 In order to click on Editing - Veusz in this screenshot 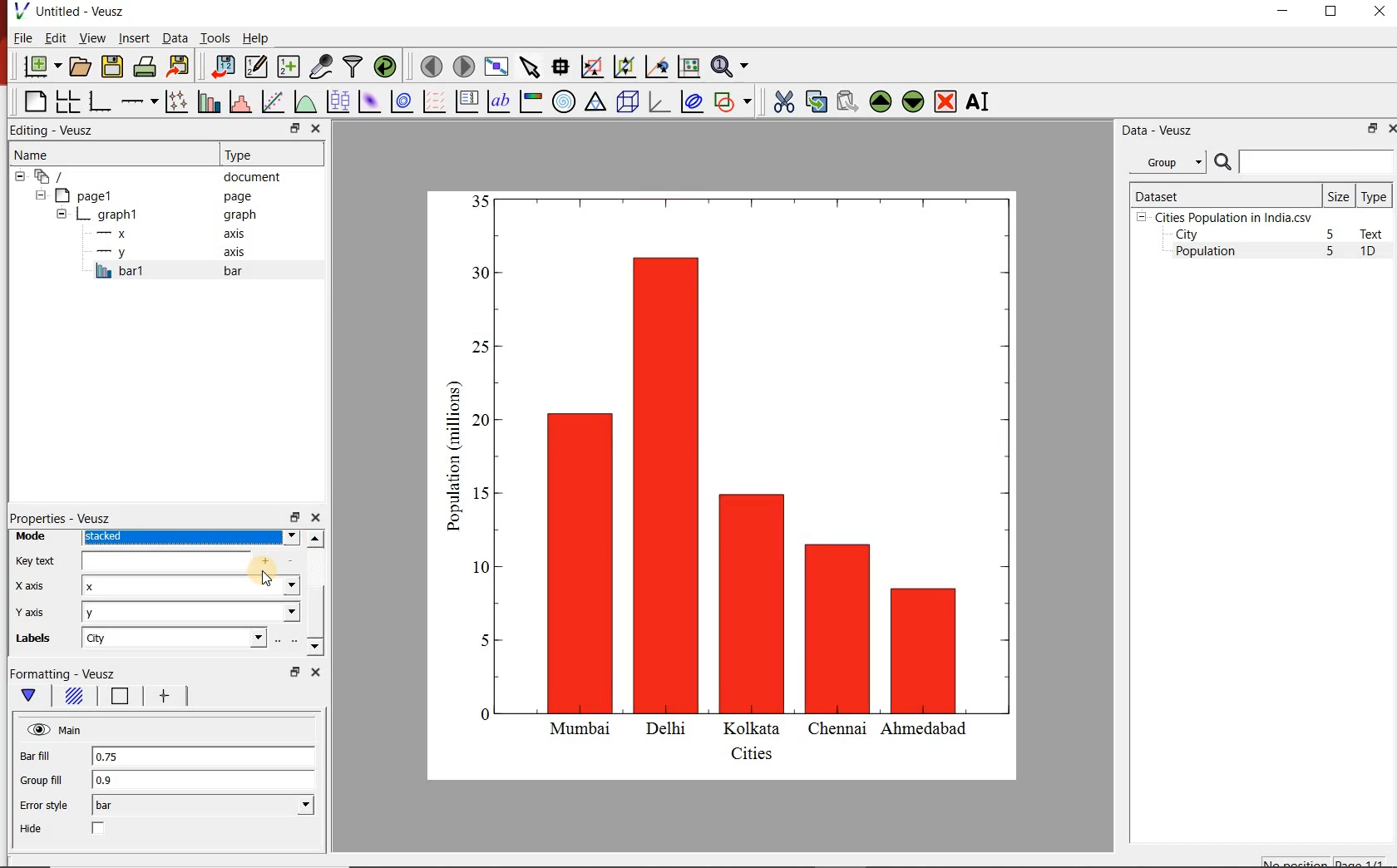, I will do `click(61, 130)`.